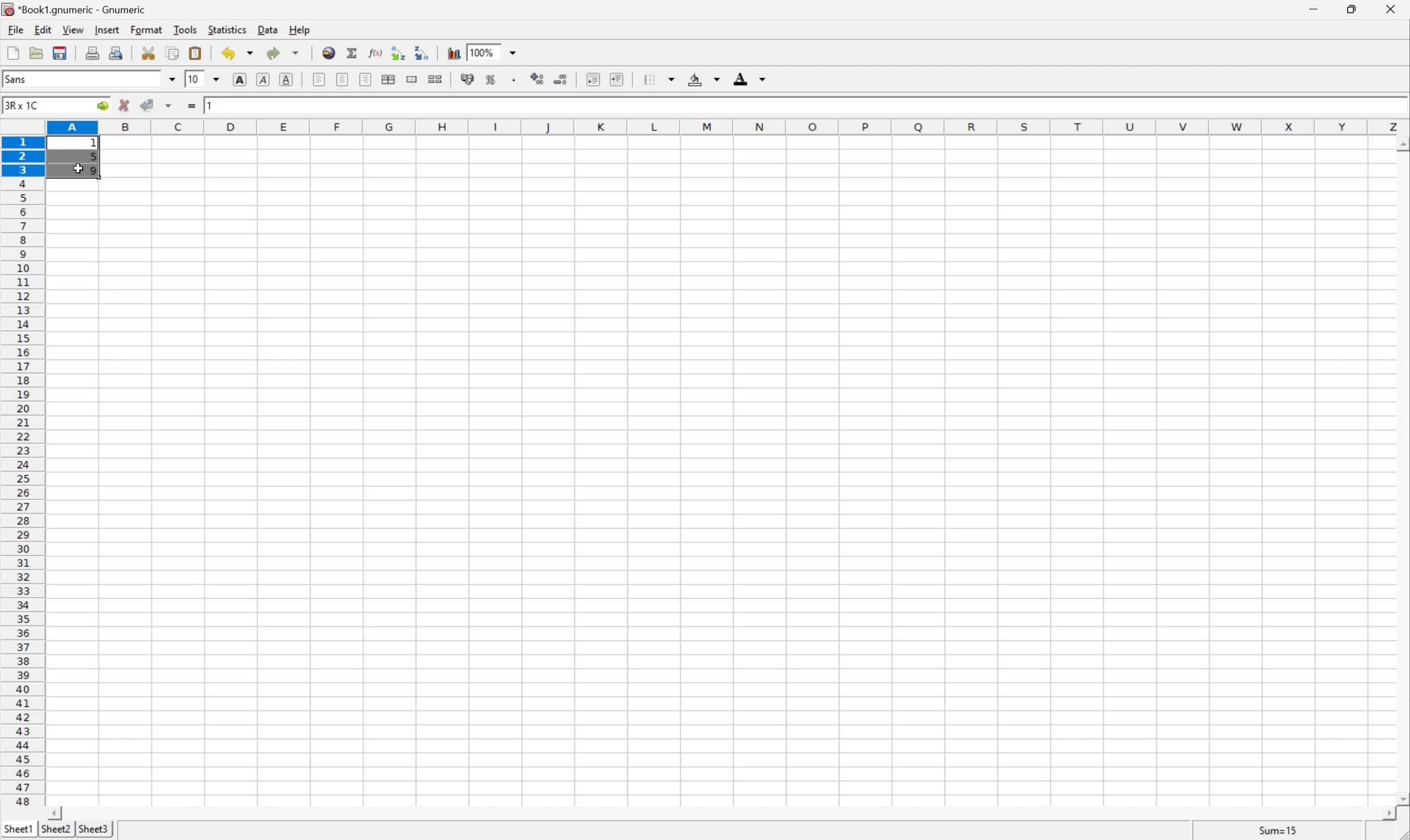 The height and width of the screenshot is (840, 1410). What do you see at coordinates (283, 53) in the screenshot?
I see `redo` at bounding box center [283, 53].